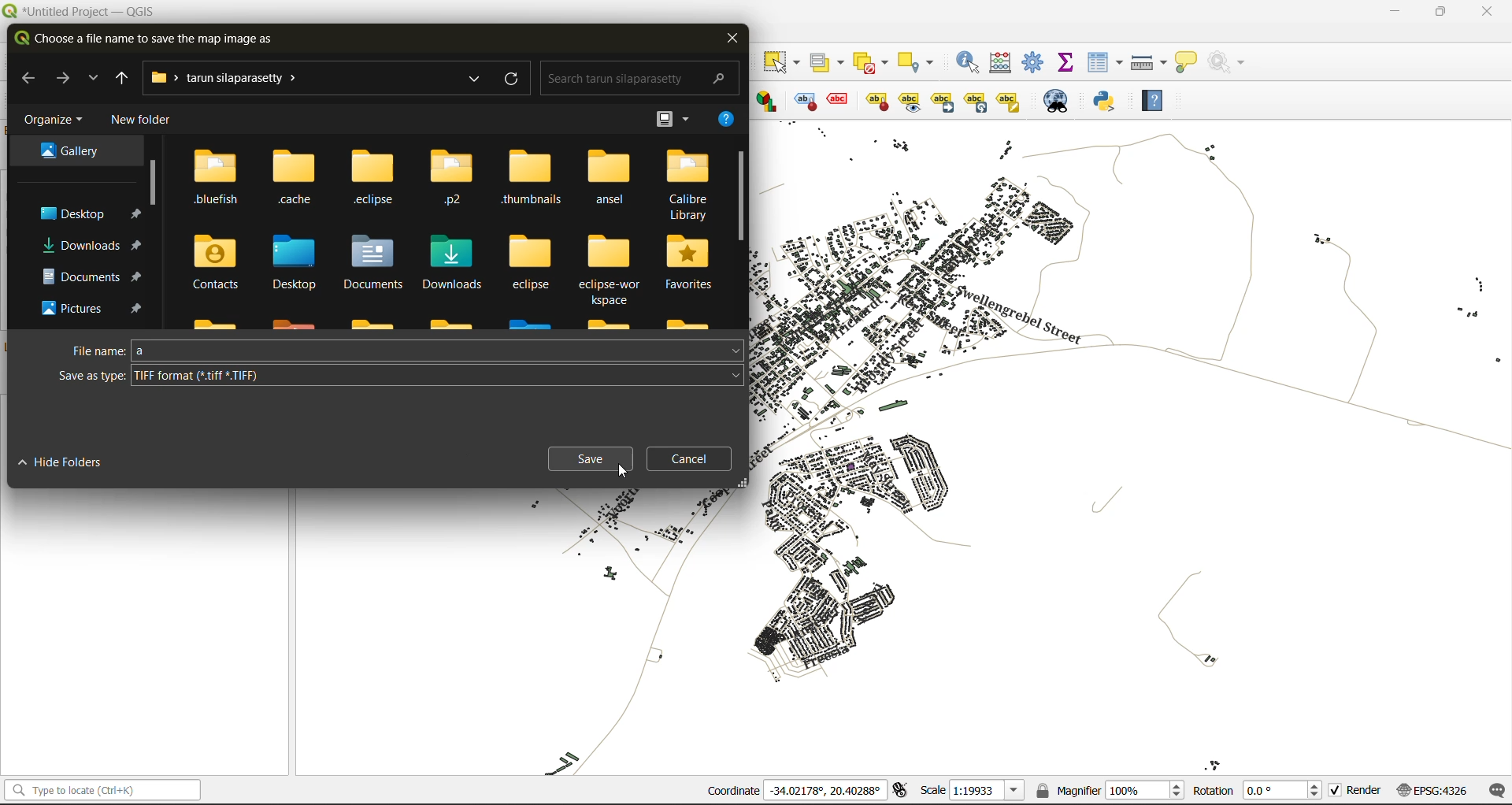 The height and width of the screenshot is (805, 1512). Describe the element at coordinates (784, 62) in the screenshot. I see `select` at that location.